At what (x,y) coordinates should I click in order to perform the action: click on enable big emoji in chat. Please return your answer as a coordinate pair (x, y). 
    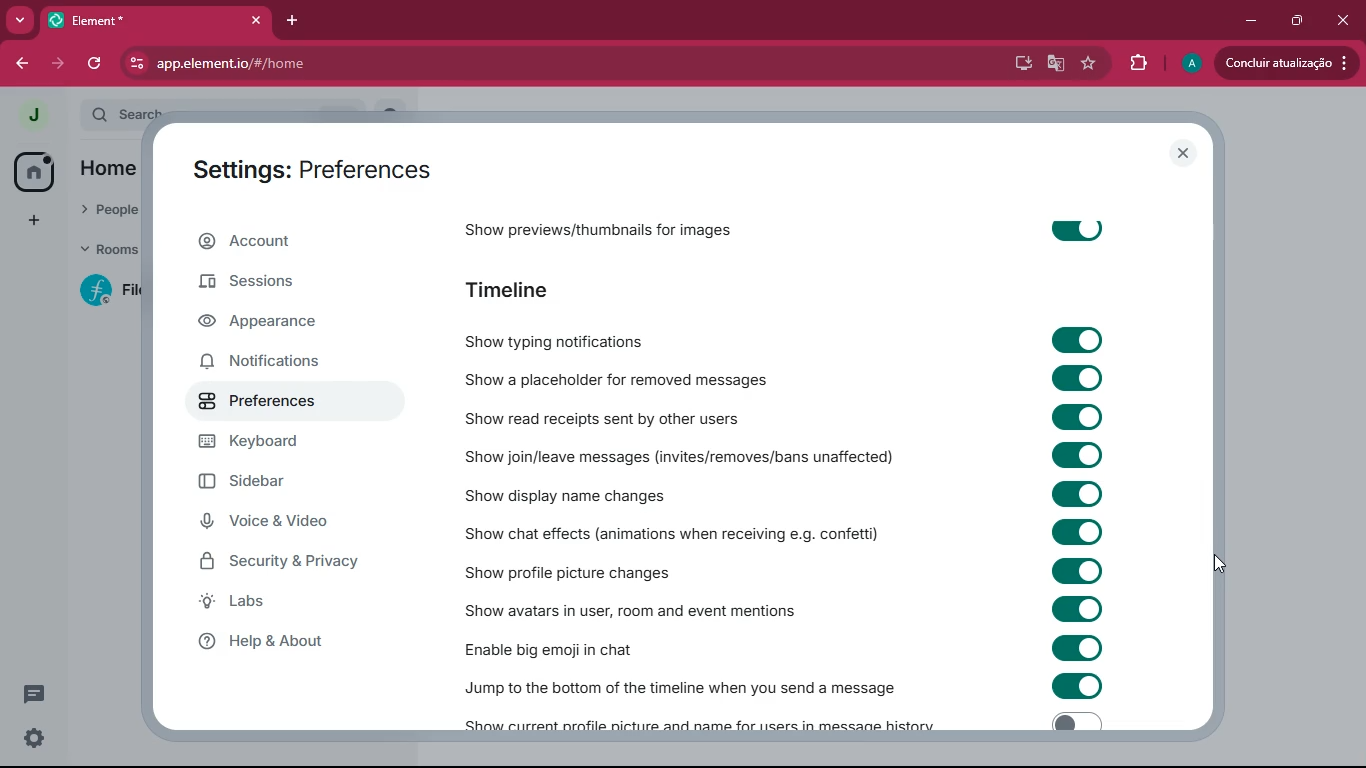
    Looking at the image, I should click on (584, 647).